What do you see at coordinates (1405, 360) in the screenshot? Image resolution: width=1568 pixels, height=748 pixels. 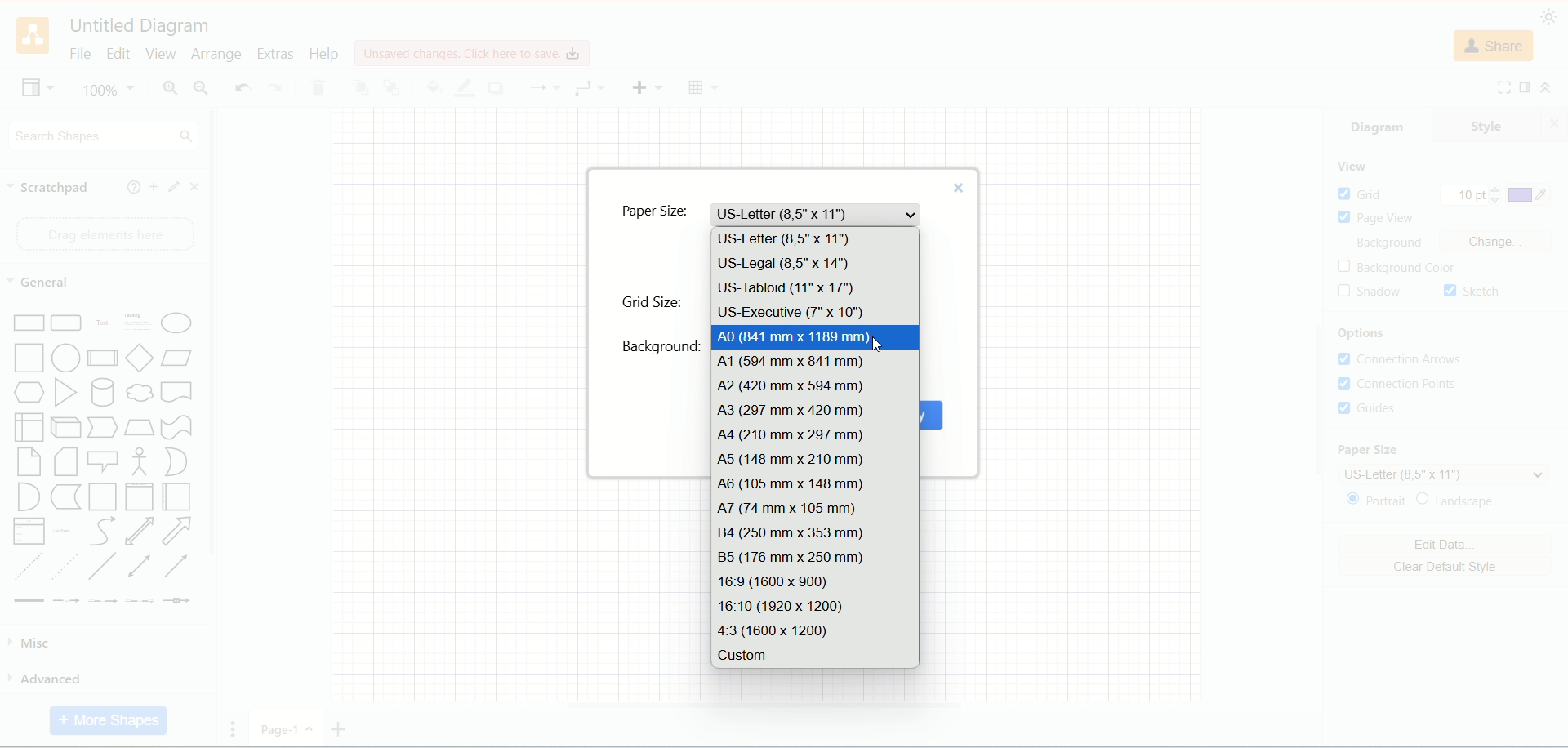 I see `connection arrows` at bounding box center [1405, 360].